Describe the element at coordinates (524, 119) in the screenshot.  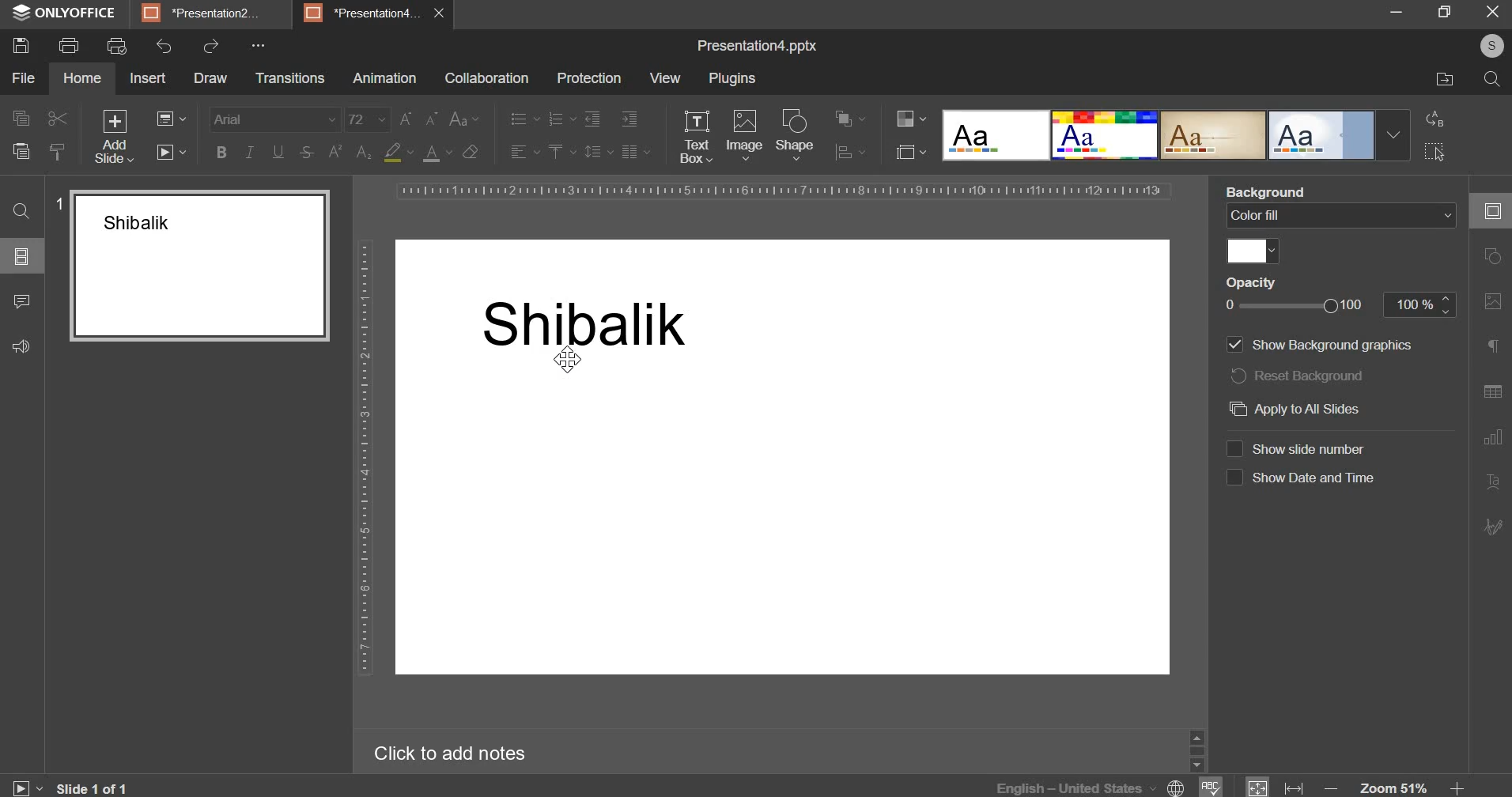
I see `bullets` at that location.